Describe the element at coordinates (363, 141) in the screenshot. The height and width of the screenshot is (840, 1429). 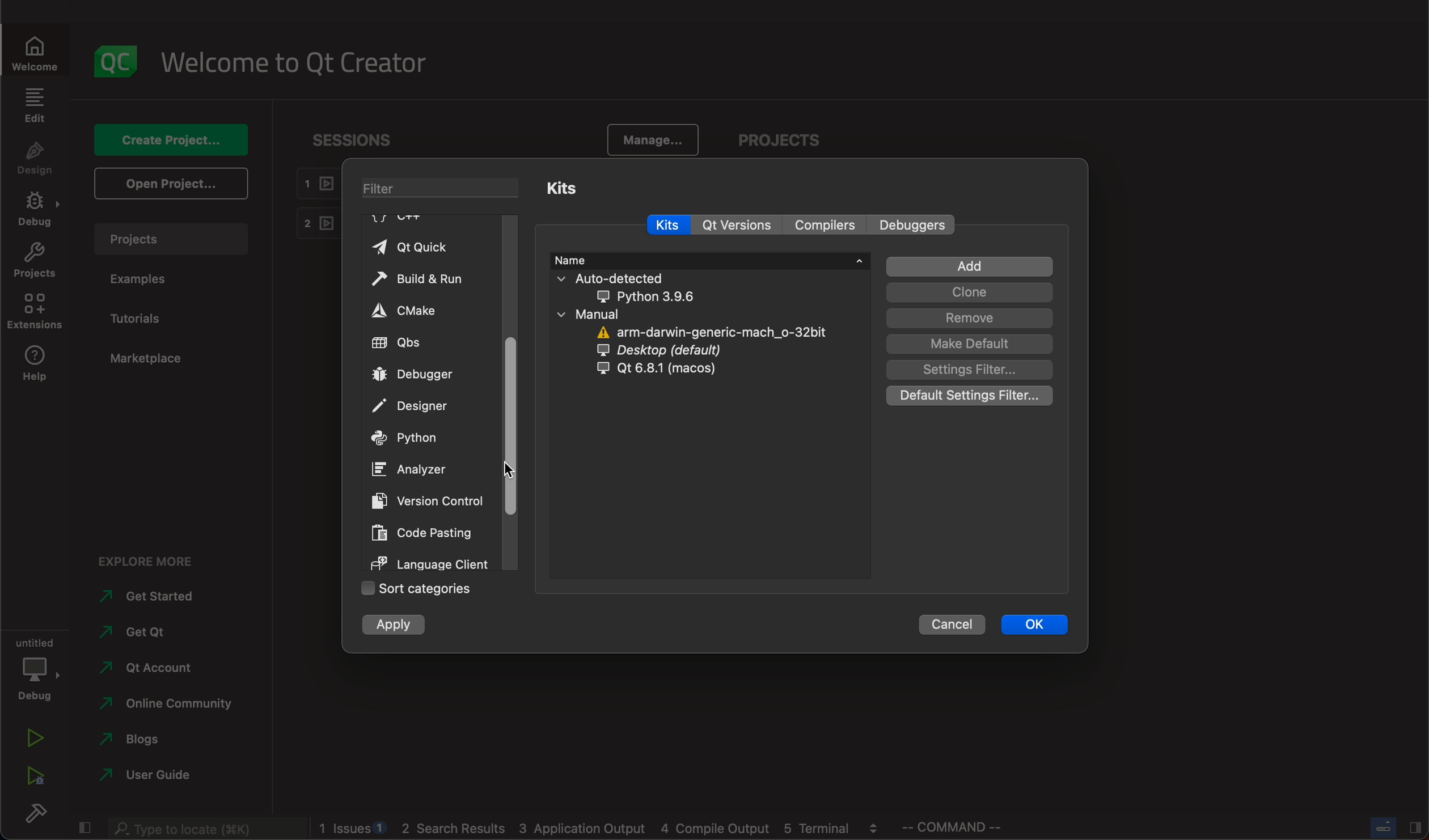
I see `sessions` at that location.